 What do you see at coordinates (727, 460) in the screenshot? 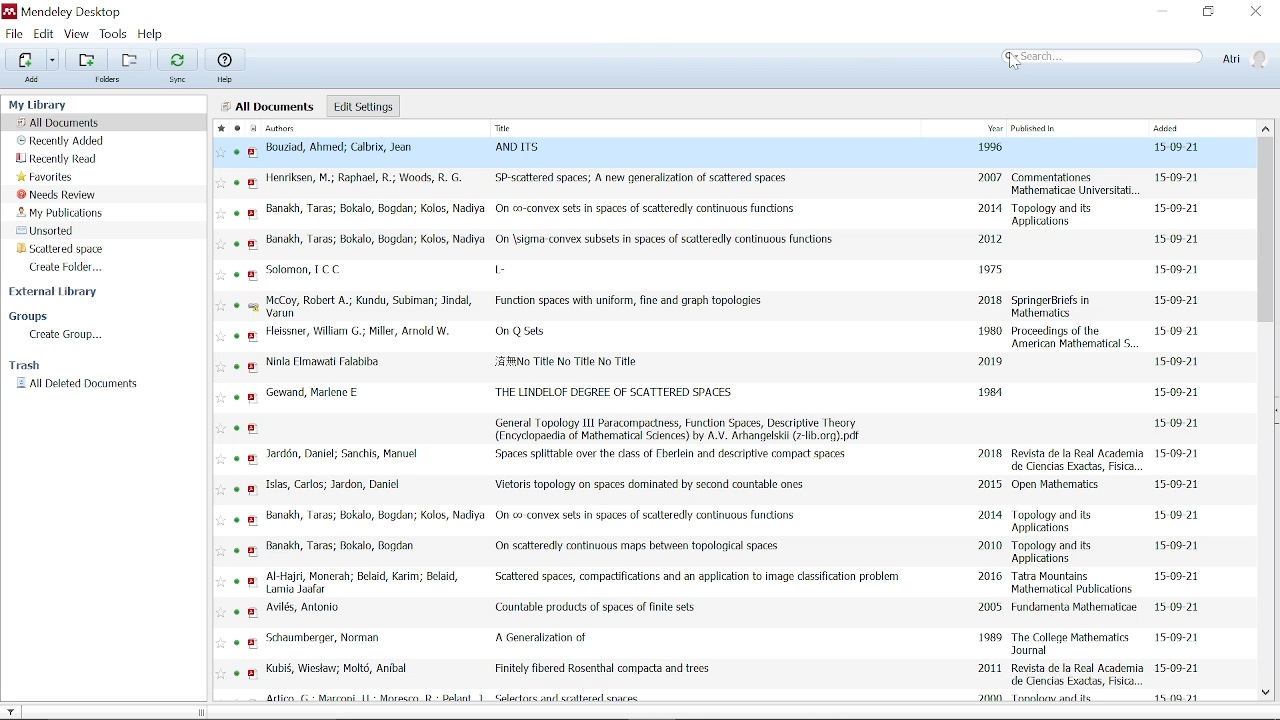
I see `Jardén, Daniel; Sanchis, Manuel ‘Spaces splittable over the dass of Fberlein and descriptive compact spaces. 2018 Revista de la Real Academia de Ciencias Exactas, Fisica 15-09-21` at bounding box center [727, 460].